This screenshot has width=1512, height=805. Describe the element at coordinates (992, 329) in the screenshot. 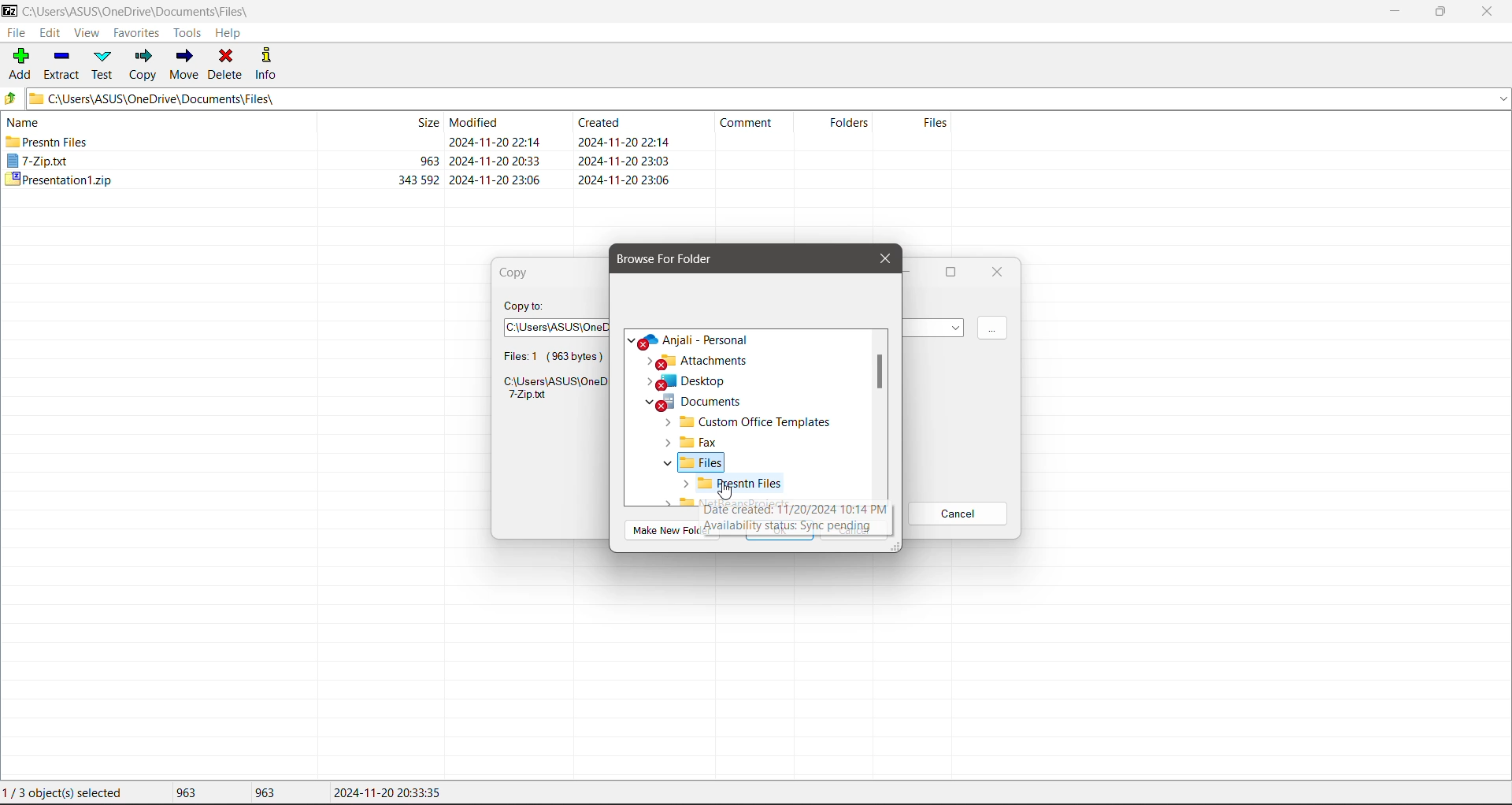

I see `Click to Browse for more locations` at that location.